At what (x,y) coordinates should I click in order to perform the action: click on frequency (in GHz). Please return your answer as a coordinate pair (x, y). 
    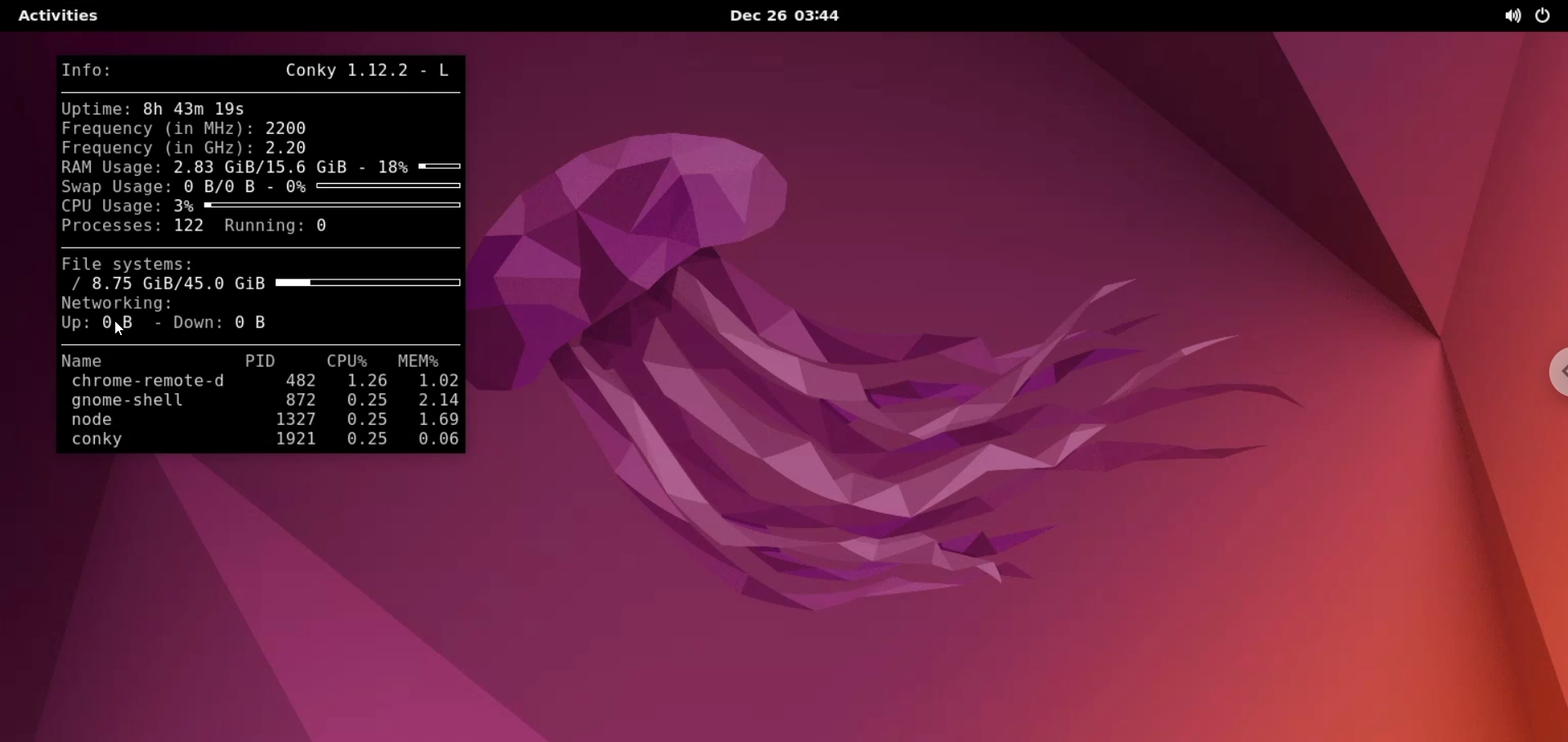
    Looking at the image, I should click on (155, 147).